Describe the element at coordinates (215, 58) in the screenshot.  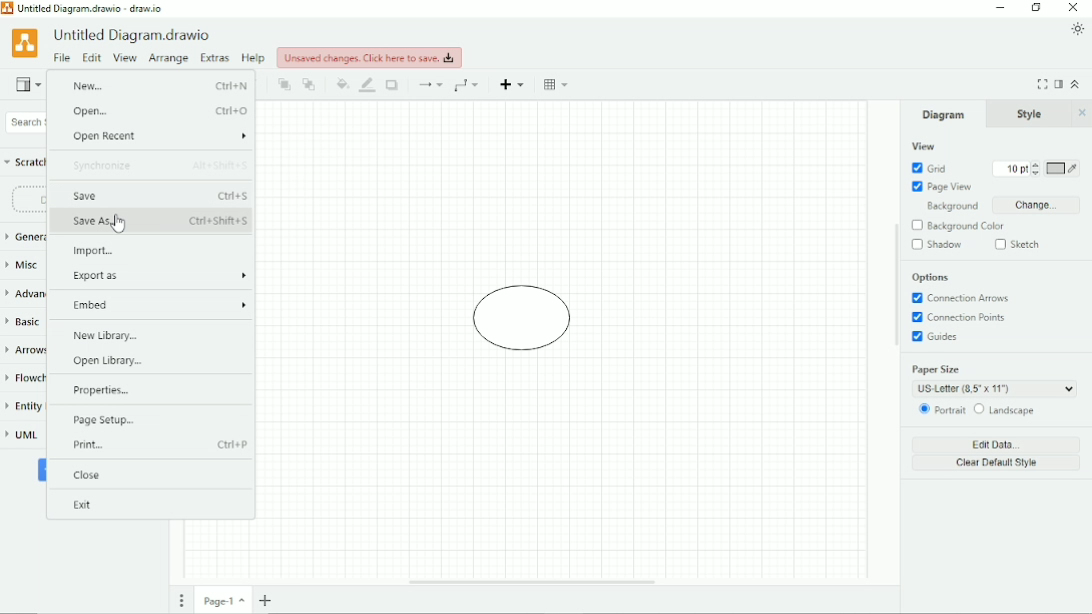
I see `Extras` at that location.